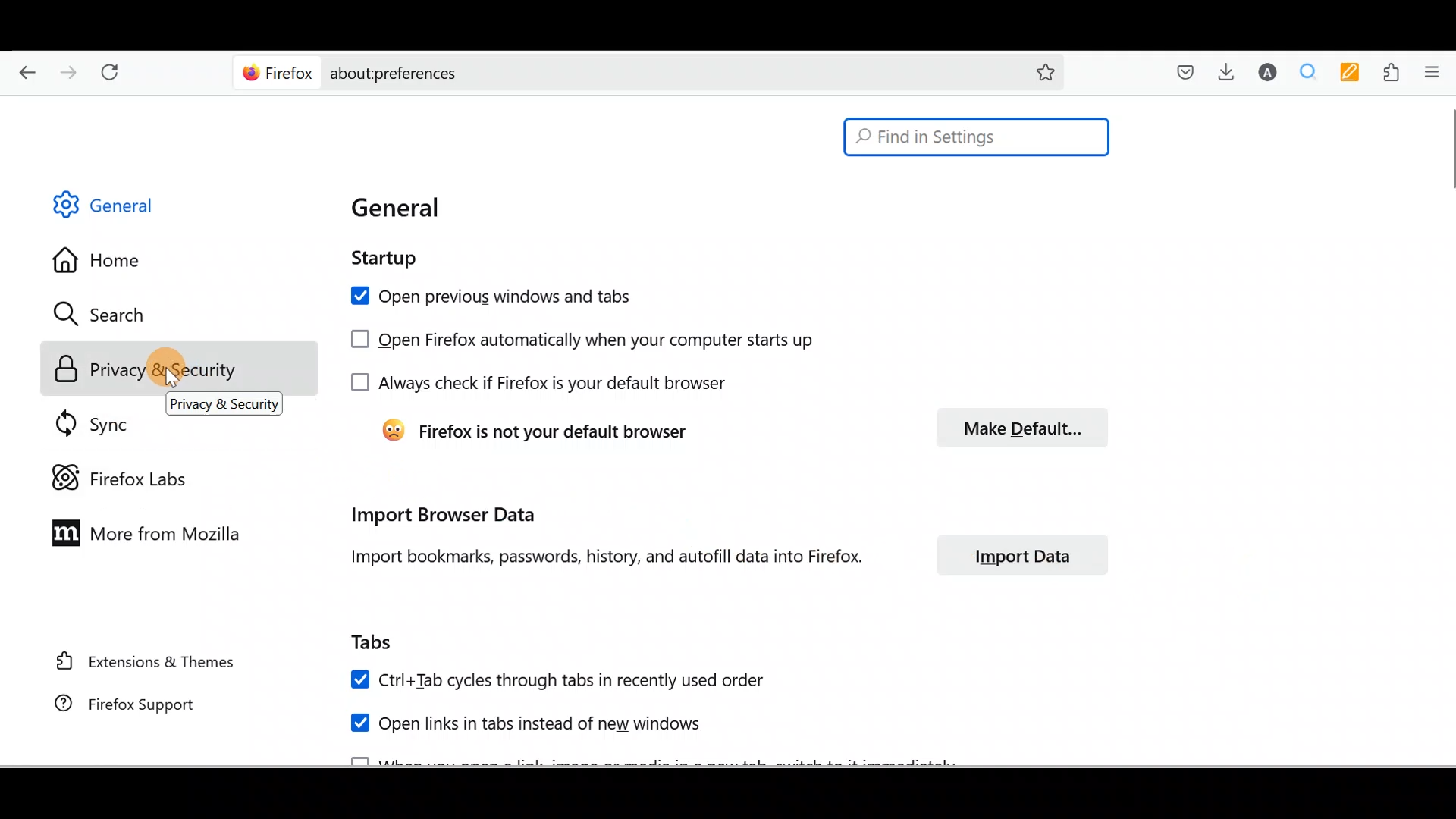 The width and height of the screenshot is (1456, 819). I want to click on Tabs, so click(384, 642).